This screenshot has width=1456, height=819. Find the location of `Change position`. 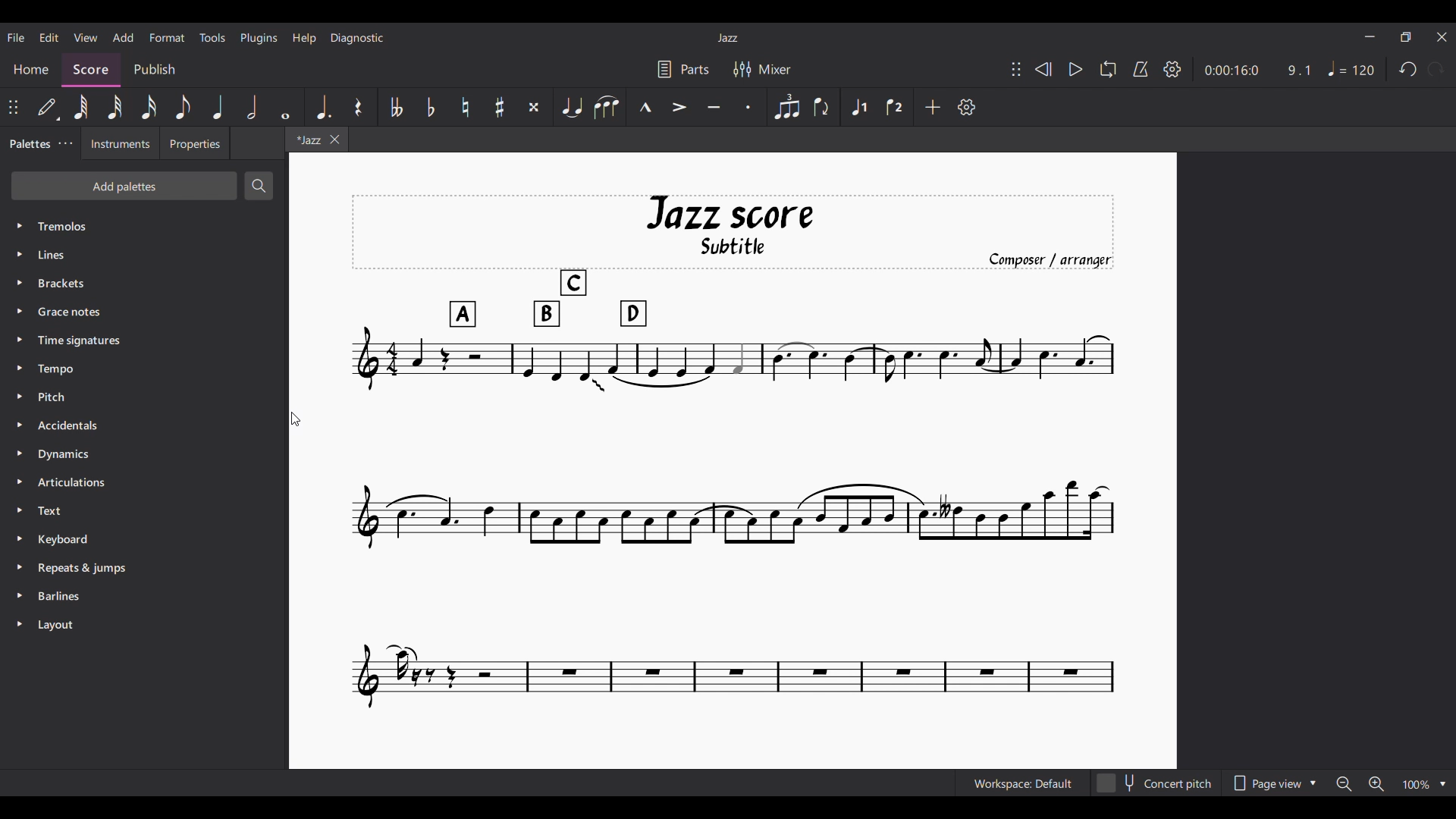

Change position is located at coordinates (1016, 69).